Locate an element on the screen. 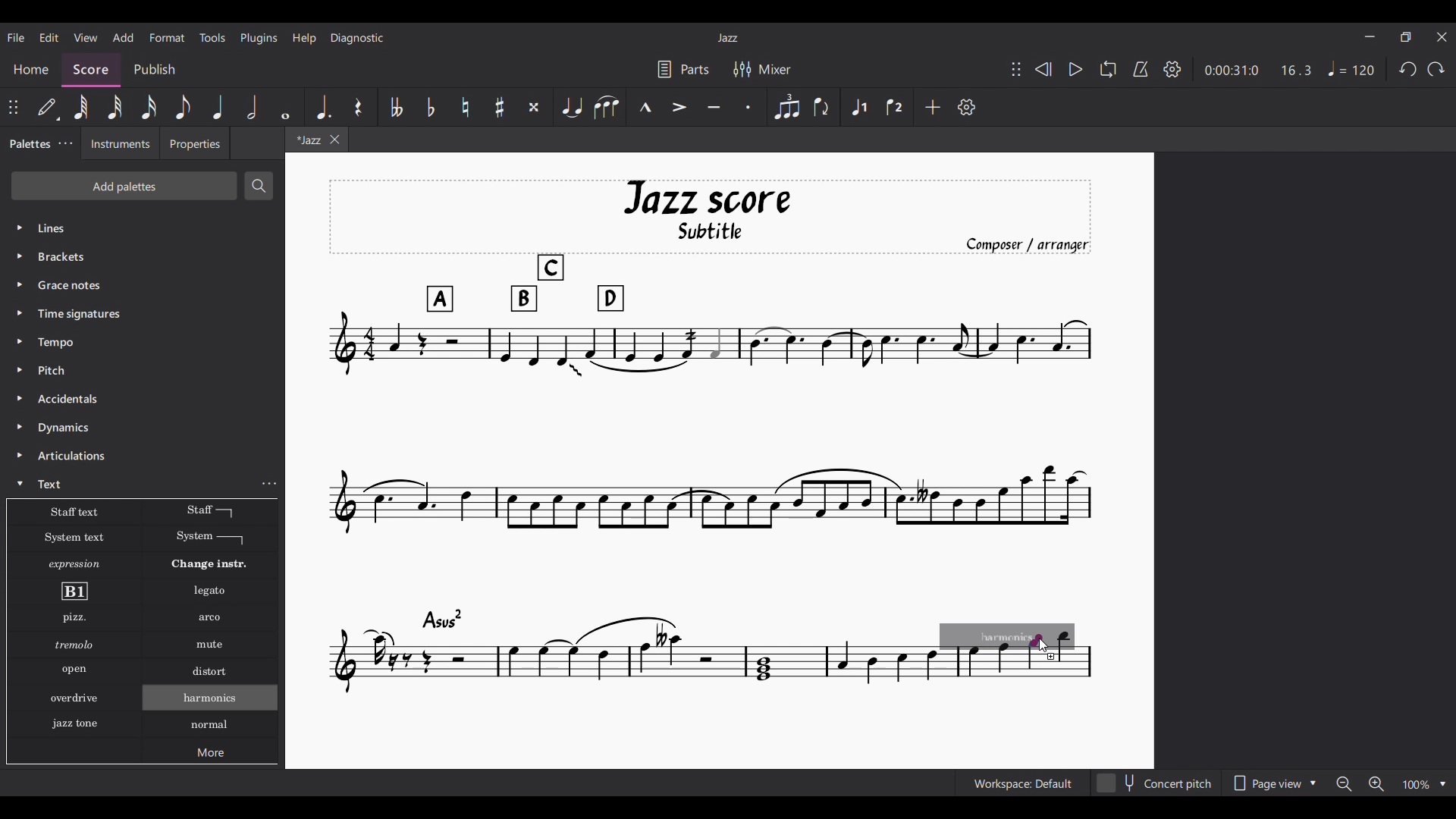 This screenshot has height=819, width=1456. Music Notes is located at coordinates (623, 657).